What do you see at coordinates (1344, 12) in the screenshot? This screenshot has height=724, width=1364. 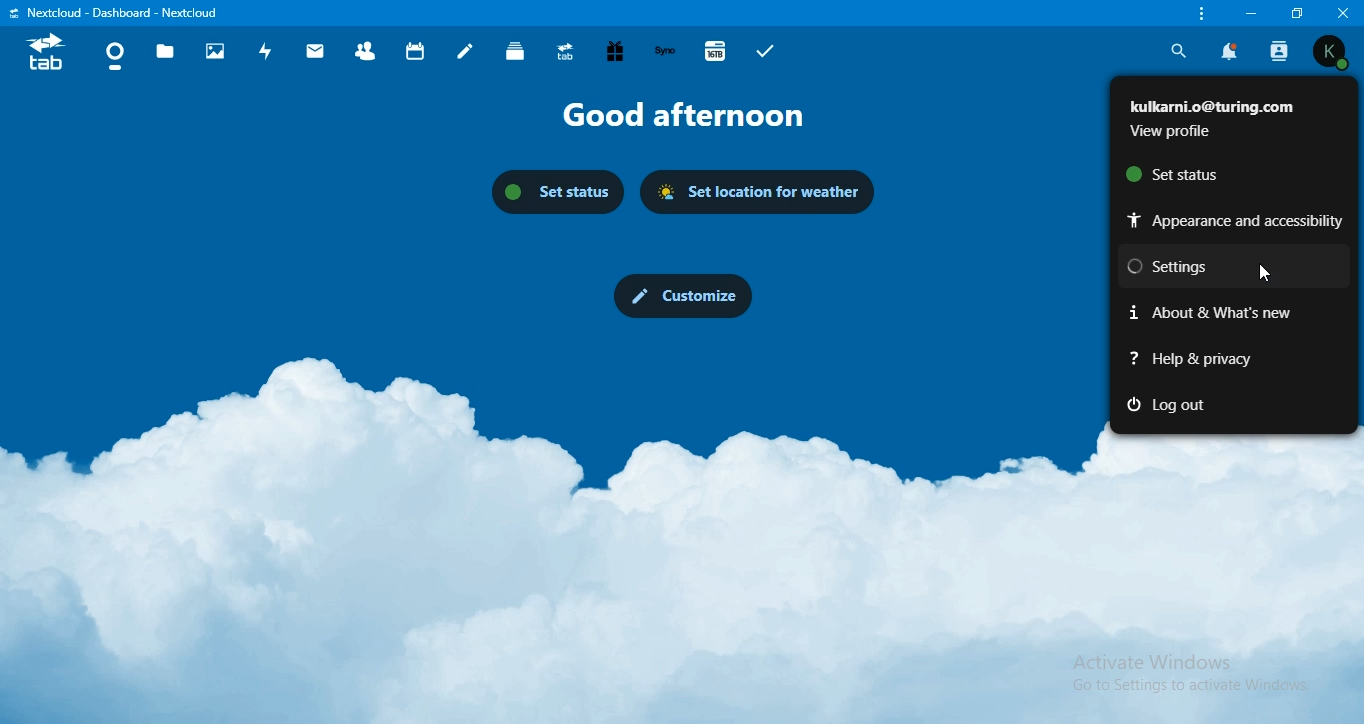 I see `close` at bounding box center [1344, 12].